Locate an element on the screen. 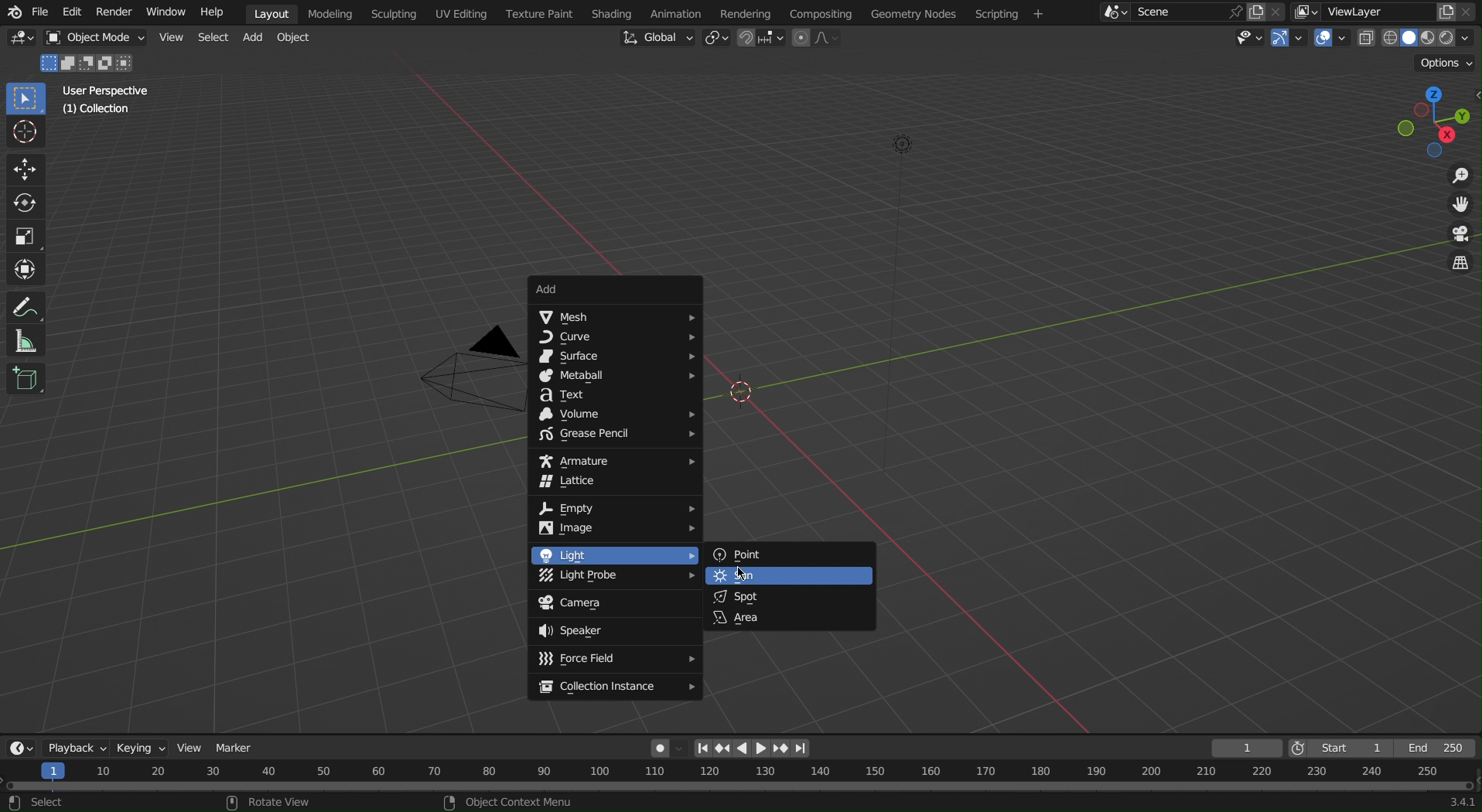  Show Gizmos is located at coordinates (1291, 40).